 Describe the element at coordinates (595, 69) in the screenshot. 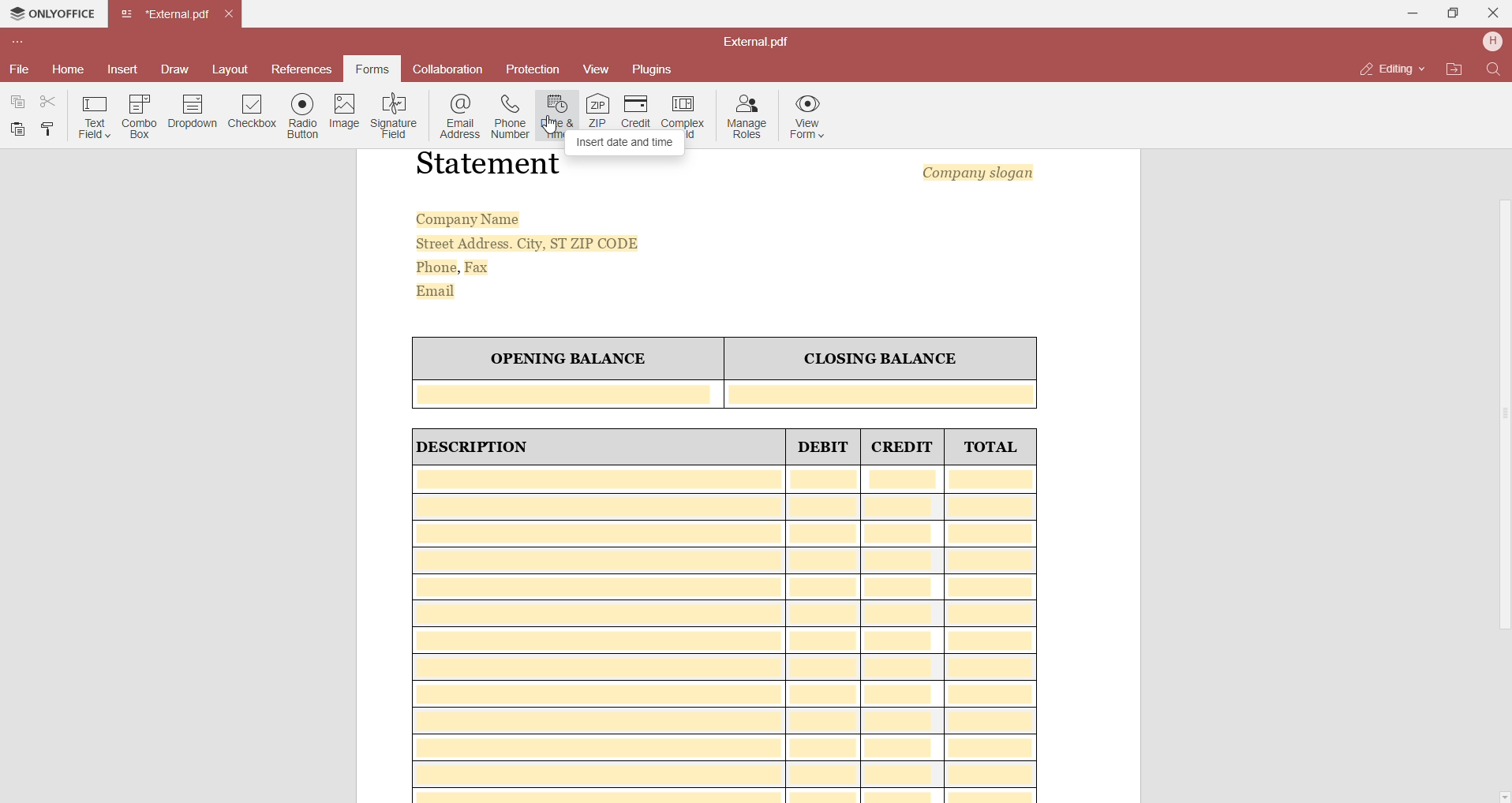

I see `View` at that location.